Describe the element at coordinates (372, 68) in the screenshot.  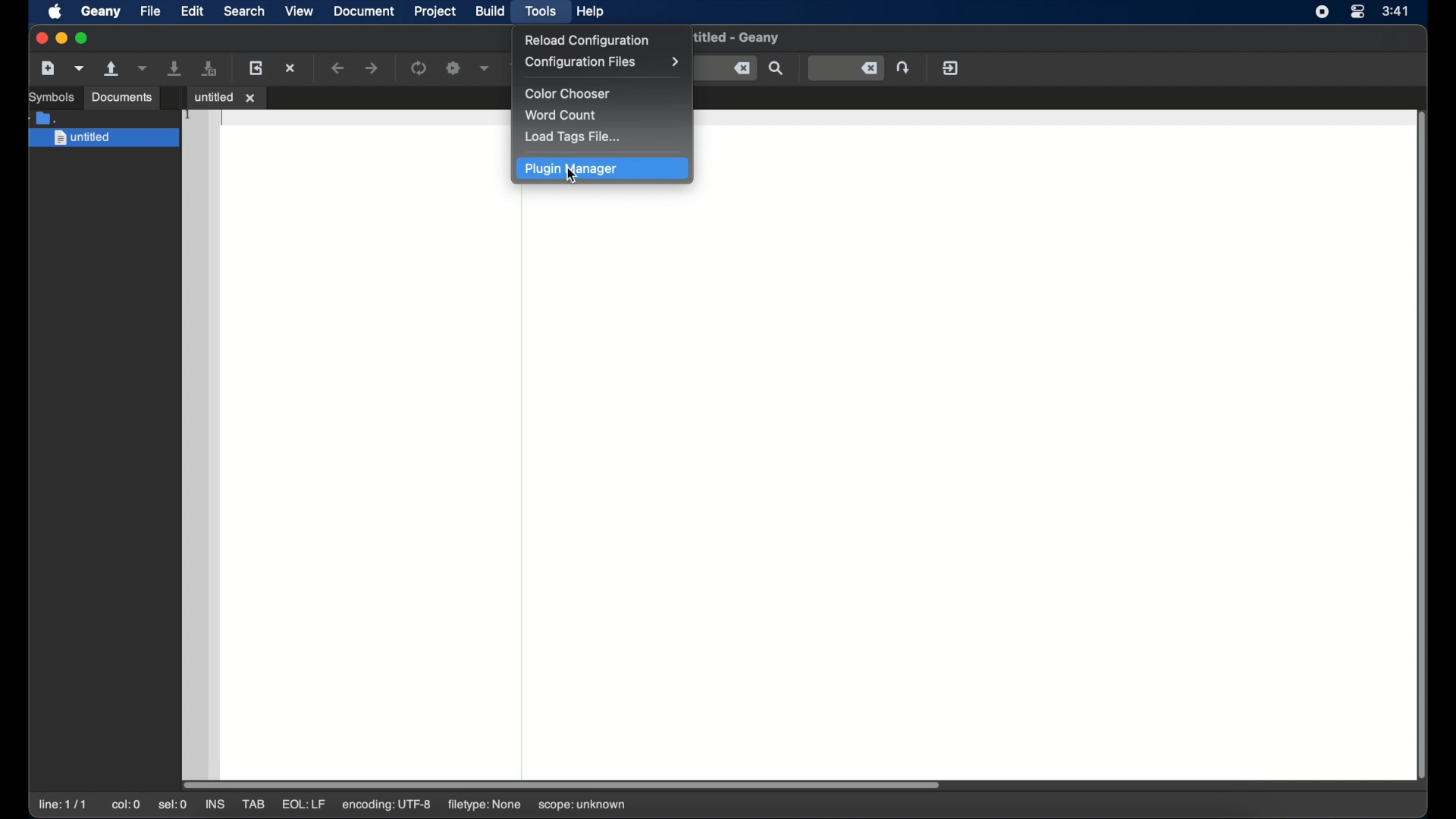
I see `navigate forward a location` at that location.